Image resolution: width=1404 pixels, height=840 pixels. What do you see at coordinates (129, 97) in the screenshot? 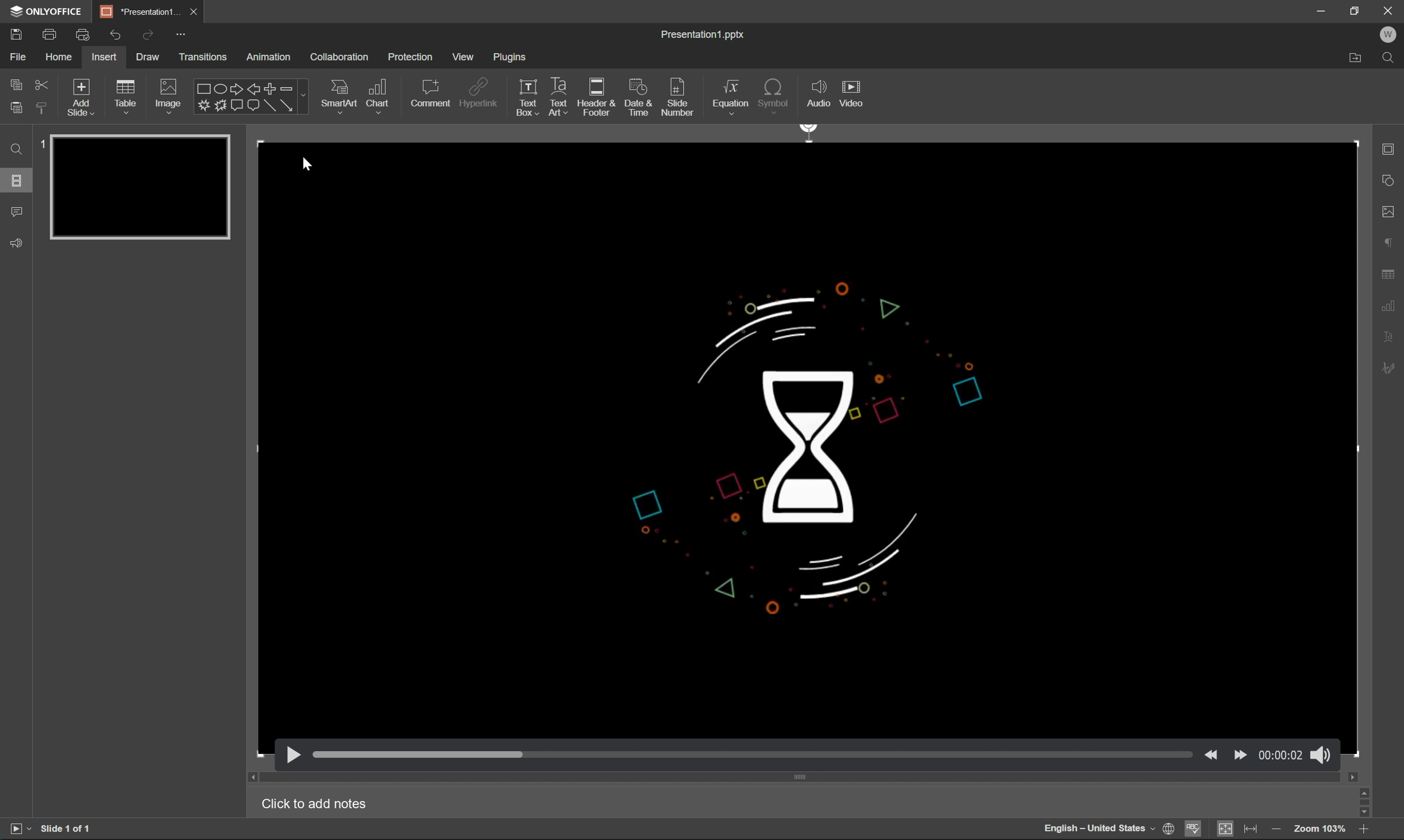
I see `table` at bounding box center [129, 97].